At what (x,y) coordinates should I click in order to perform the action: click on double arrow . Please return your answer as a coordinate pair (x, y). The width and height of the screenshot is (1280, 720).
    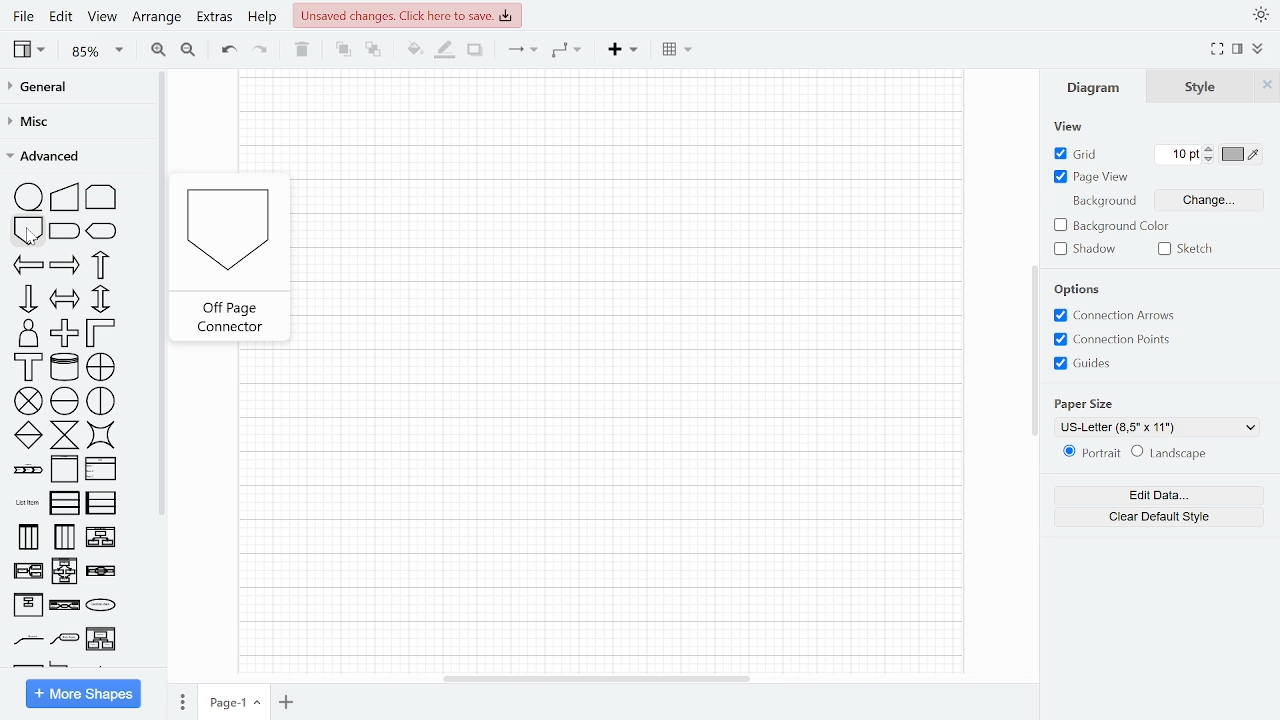
    Looking at the image, I should click on (66, 298).